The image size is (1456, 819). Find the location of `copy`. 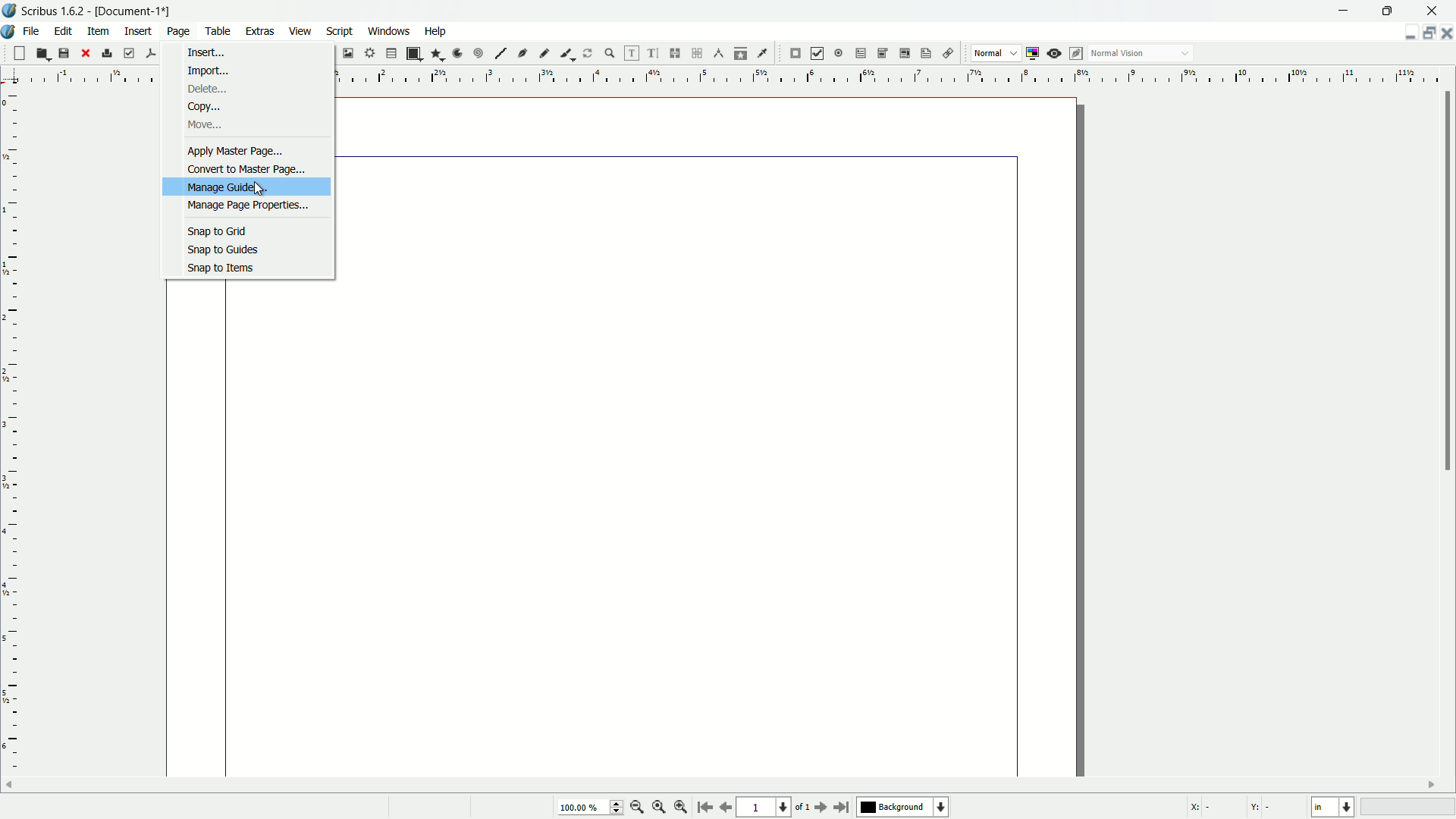

copy is located at coordinates (202, 106).